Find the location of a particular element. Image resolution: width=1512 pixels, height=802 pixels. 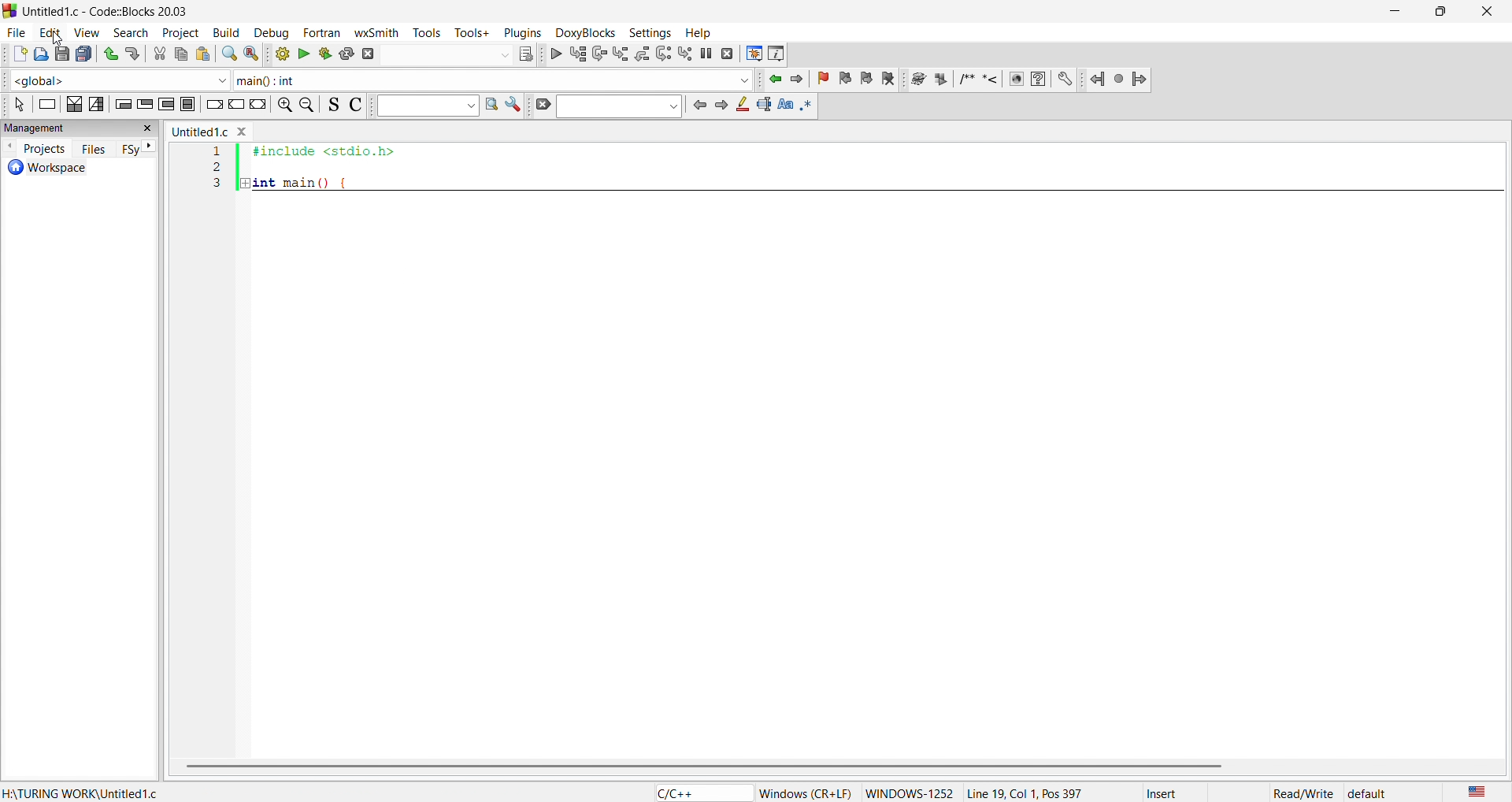

untitled1.c is located at coordinates (199, 132).